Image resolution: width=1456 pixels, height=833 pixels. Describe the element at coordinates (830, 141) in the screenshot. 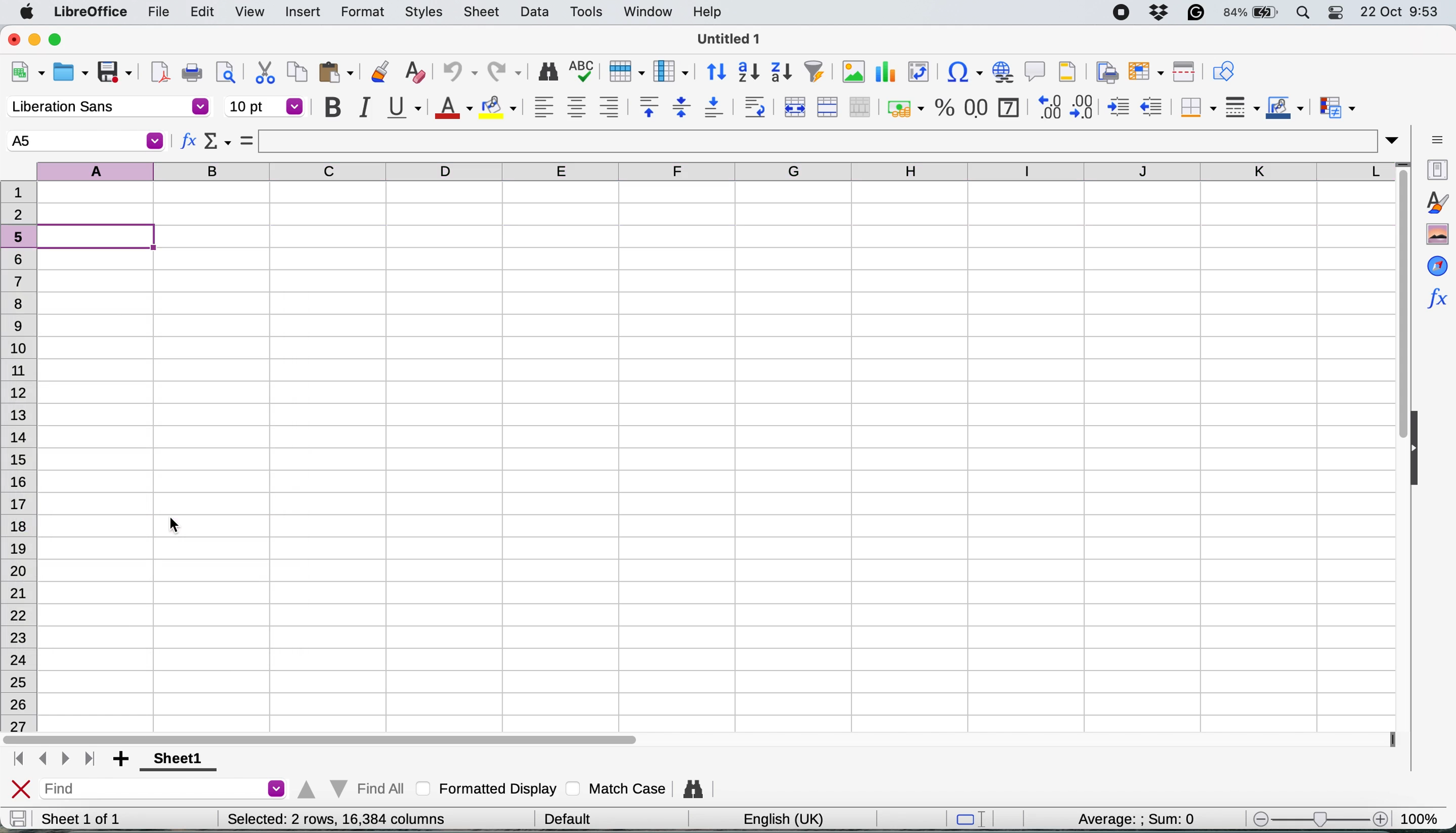

I see `formula bar` at that location.